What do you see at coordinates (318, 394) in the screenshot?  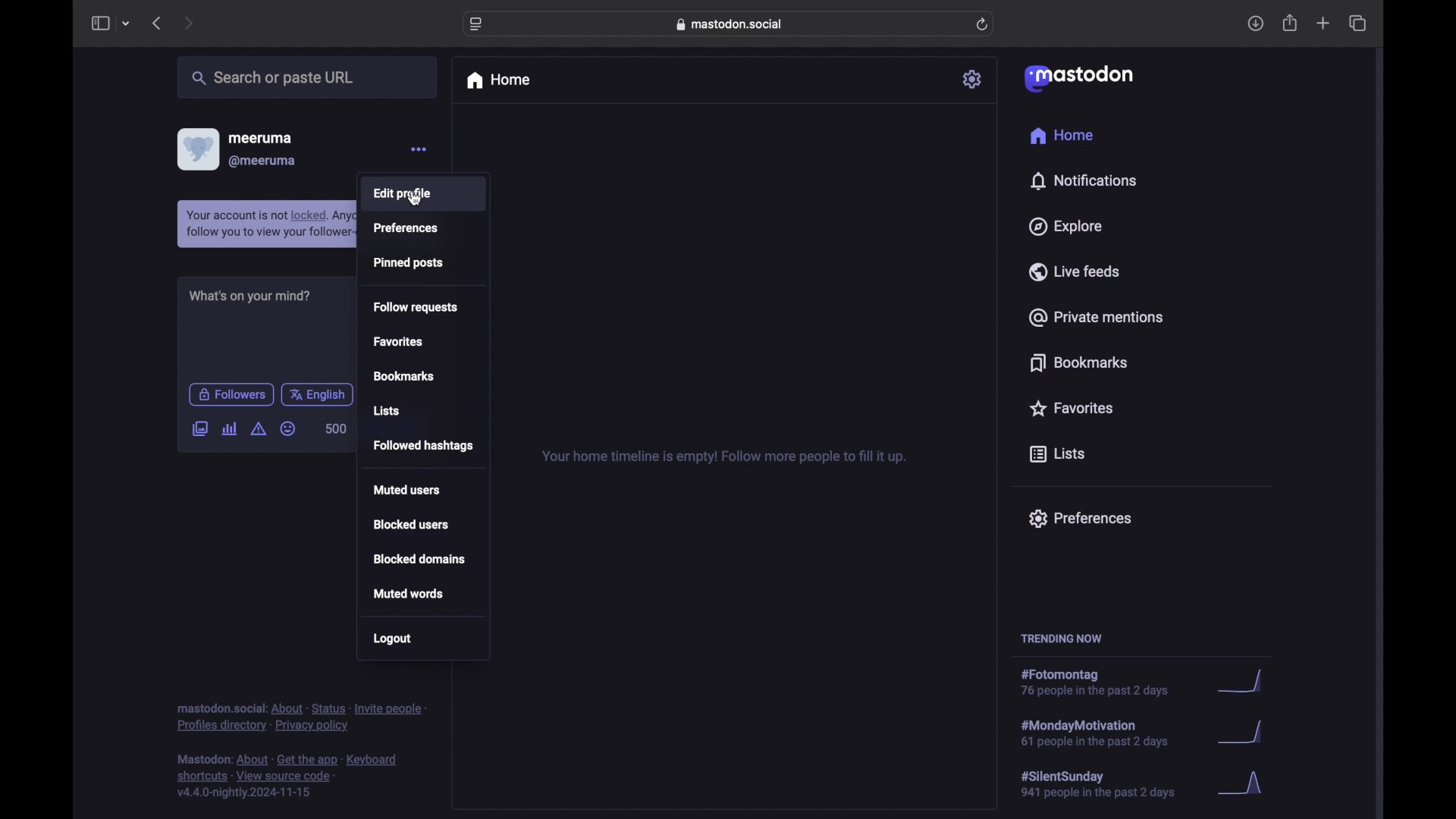 I see `english` at bounding box center [318, 394].